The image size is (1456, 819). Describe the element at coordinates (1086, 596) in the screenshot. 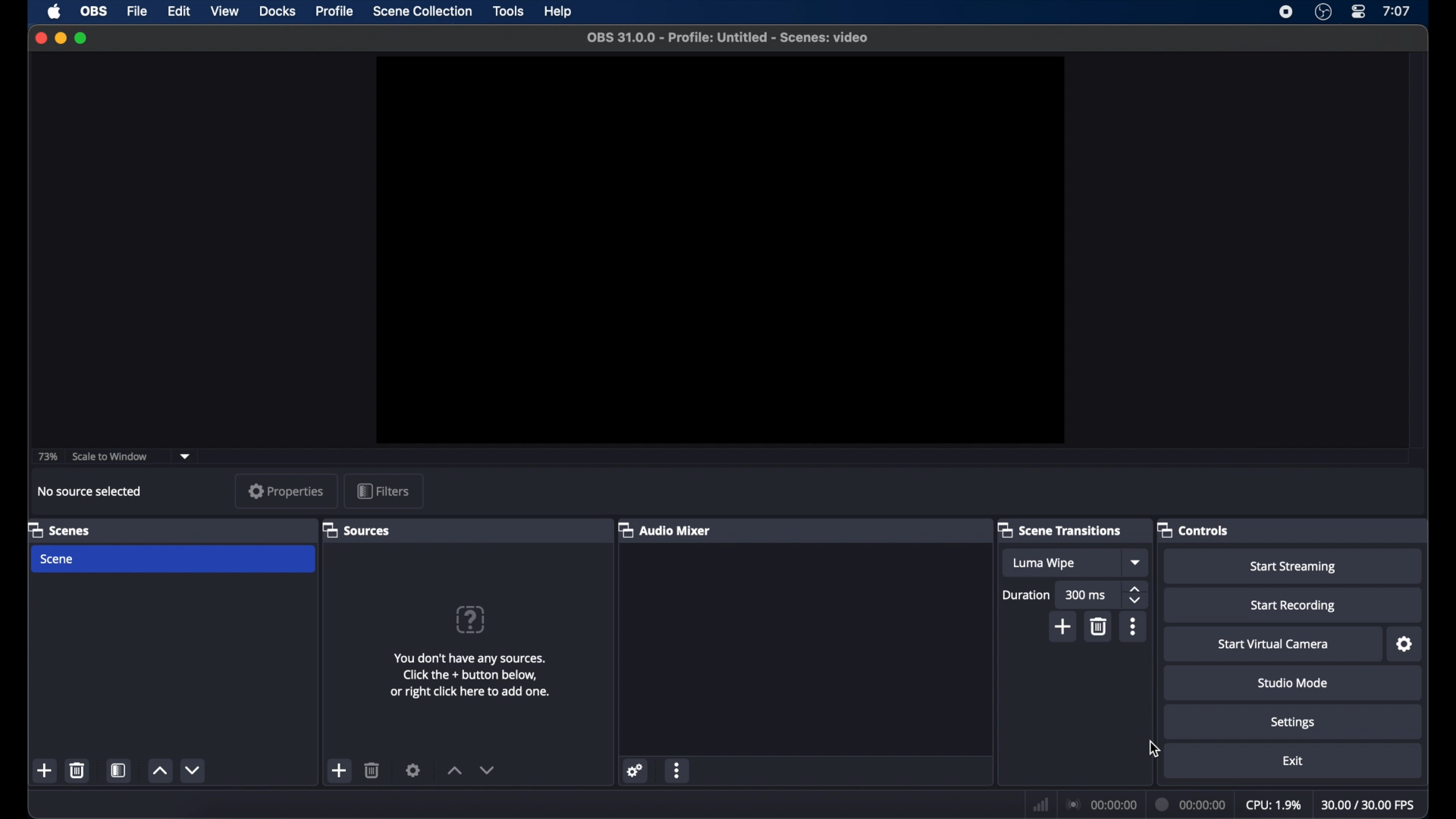

I see `300 ms` at that location.